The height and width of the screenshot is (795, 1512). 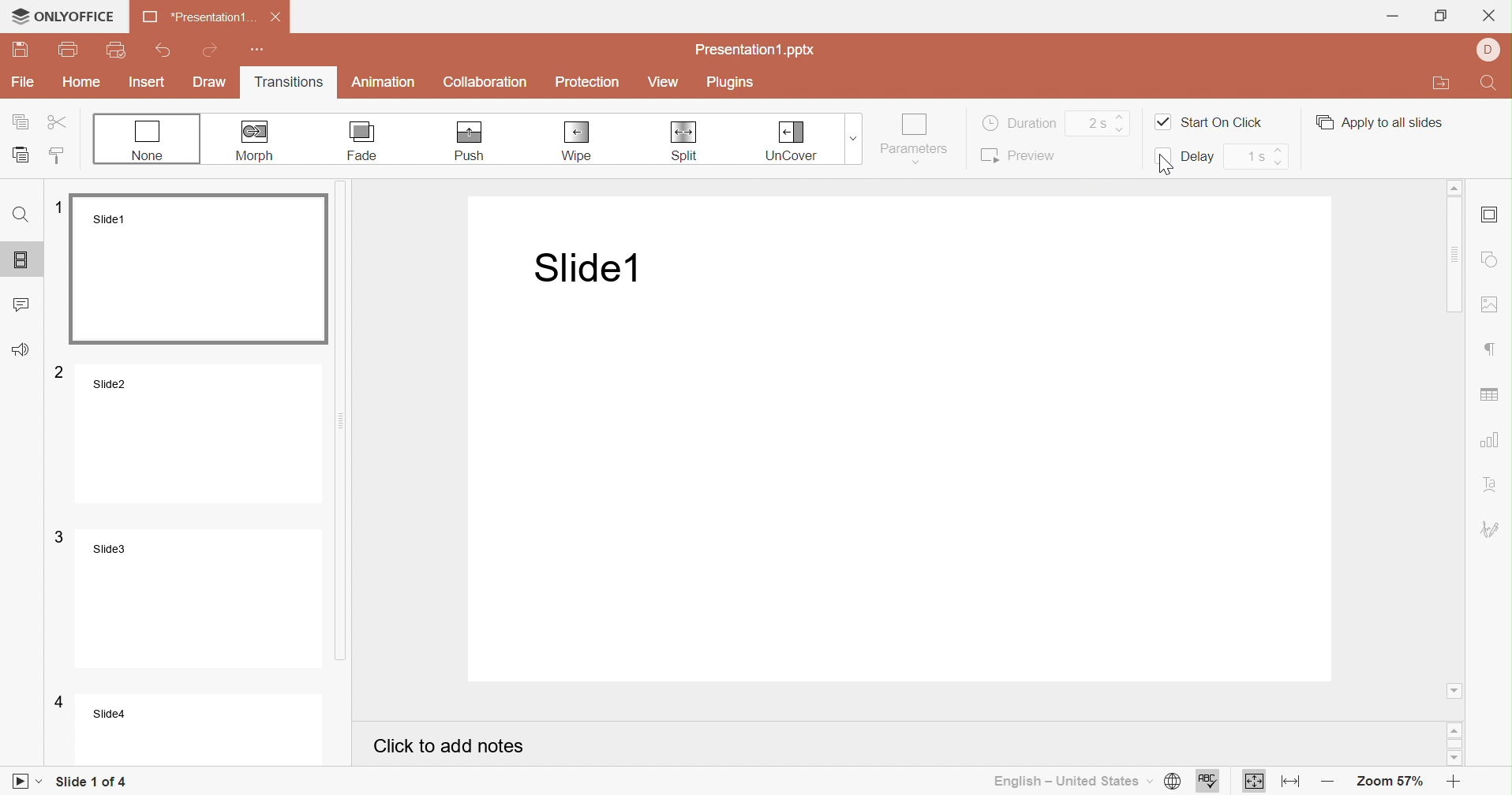 What do you see at coordinates (1489, 50) in the screenshot?
I see `Account name` at bounding box center [1489, 50].